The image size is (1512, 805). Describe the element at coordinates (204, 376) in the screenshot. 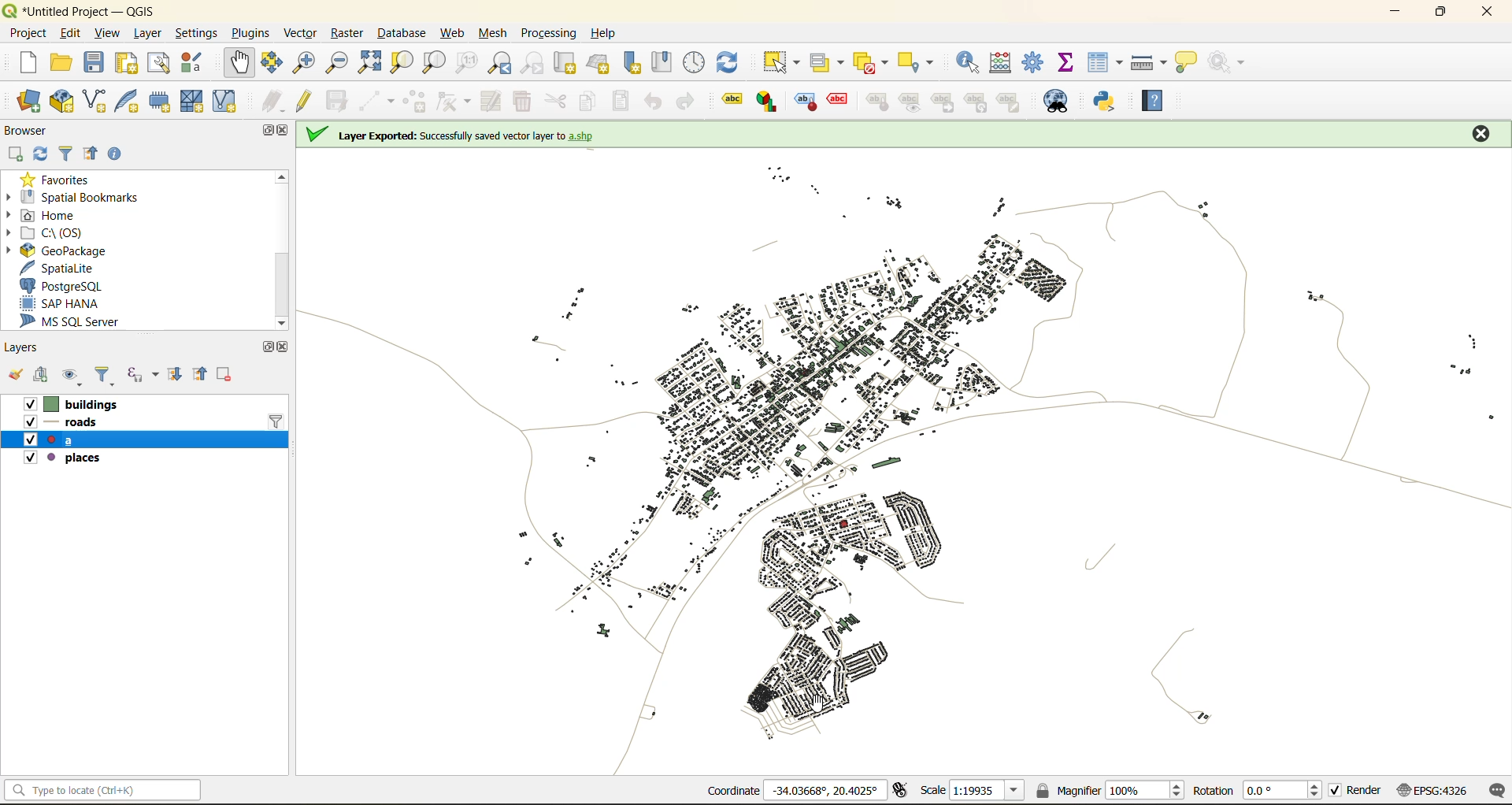

I see `collapse all` at that location.